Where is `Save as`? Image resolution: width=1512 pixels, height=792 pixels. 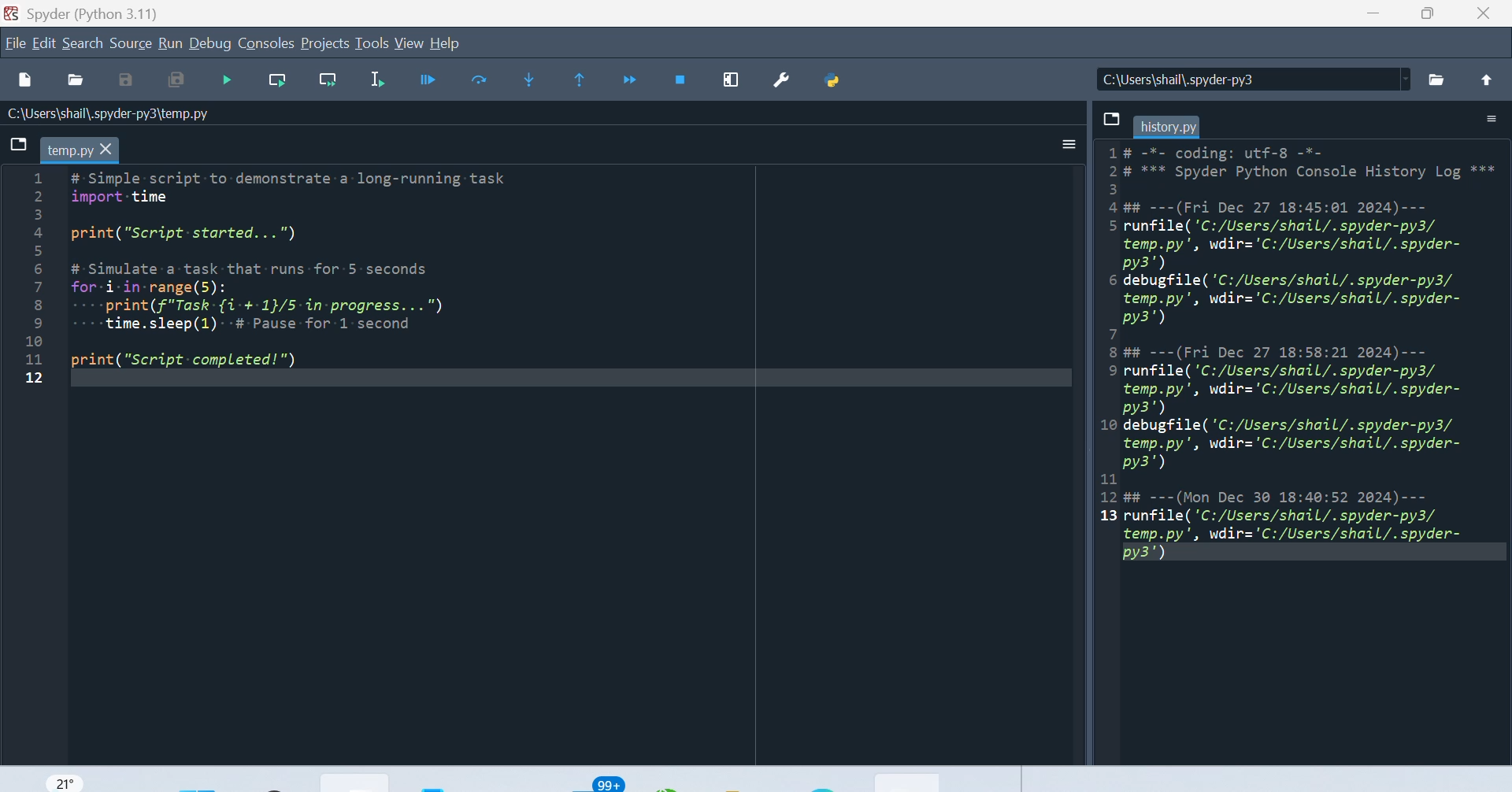 Save as is located at coordinates (132, 83).